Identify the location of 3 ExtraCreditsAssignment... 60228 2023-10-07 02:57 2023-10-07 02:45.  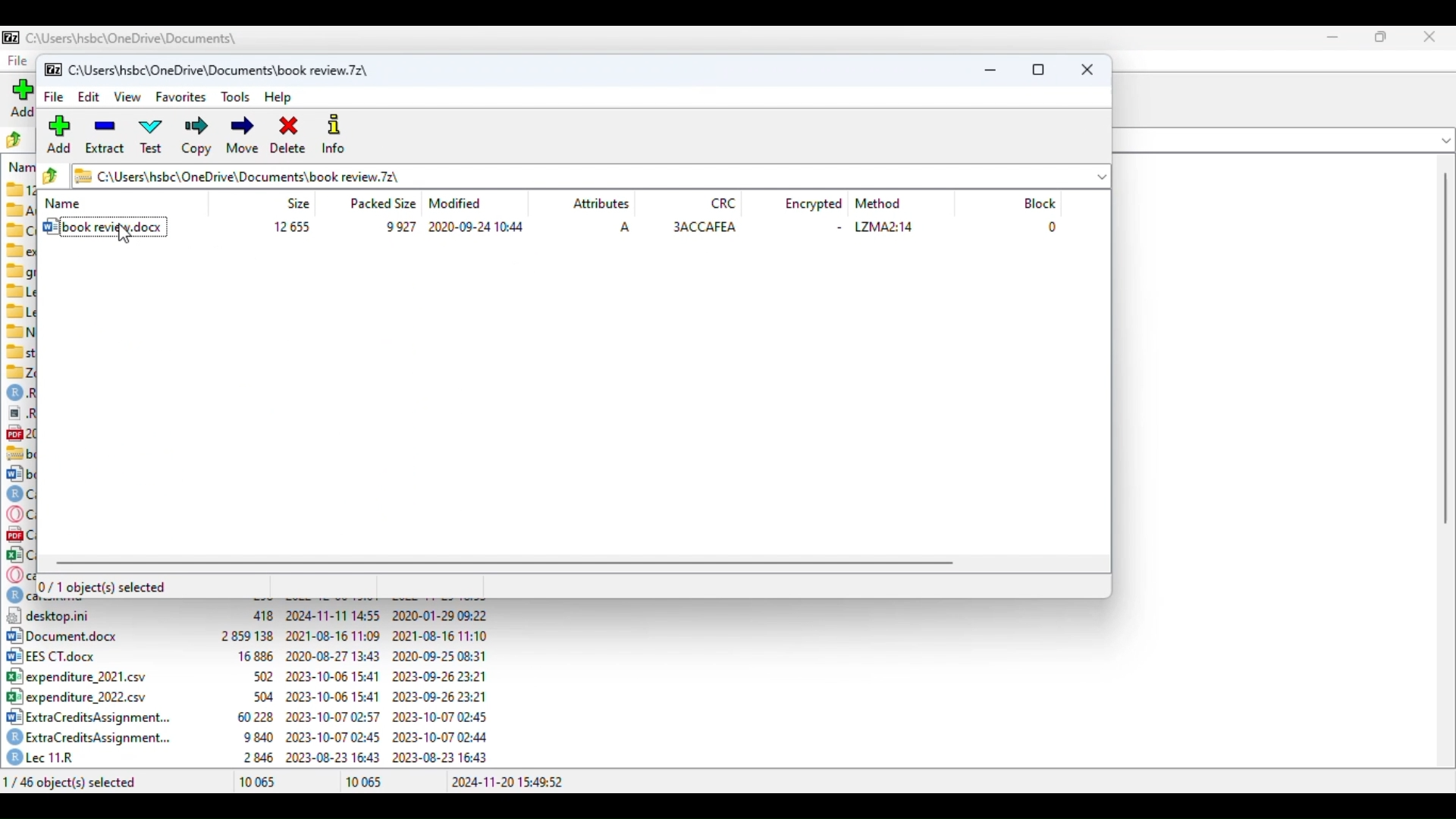
(246, 715).